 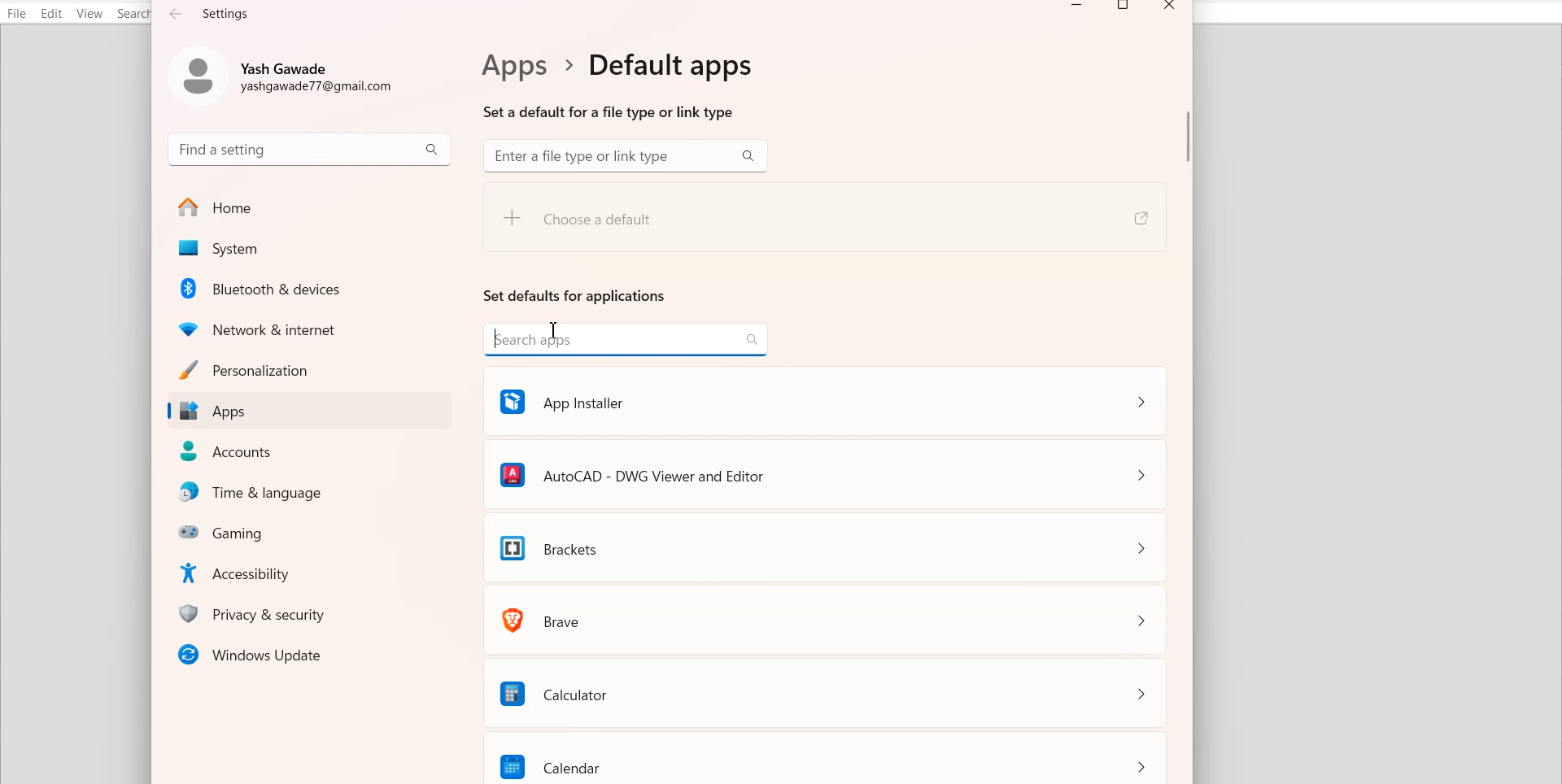 What do you see at coordinates (828, 691) in the screenshot?
I see `Calculator` at bounding box center [828, 691].